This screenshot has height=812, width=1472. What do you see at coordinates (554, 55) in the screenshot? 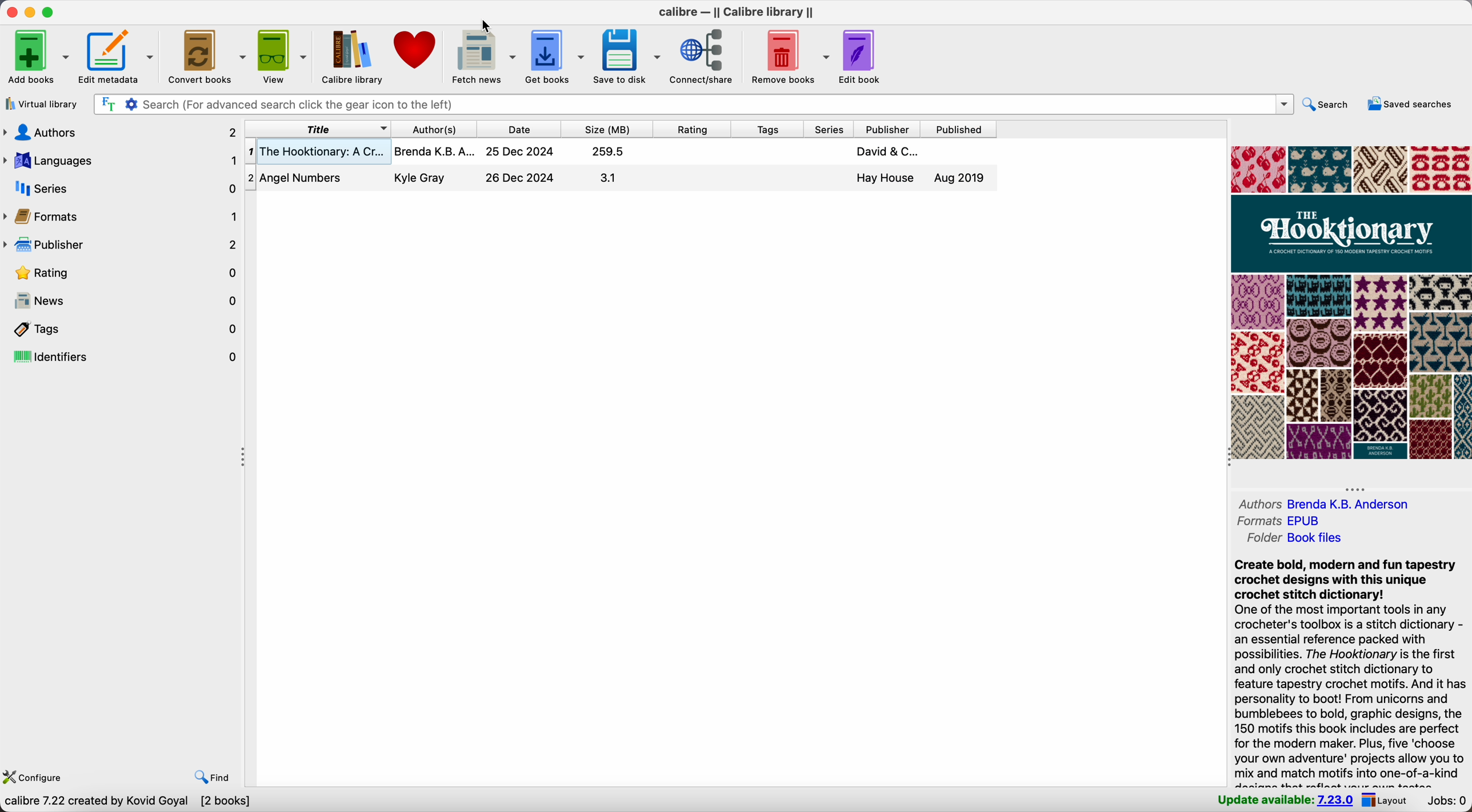
I see `get books` at bounding box center [554, 55].